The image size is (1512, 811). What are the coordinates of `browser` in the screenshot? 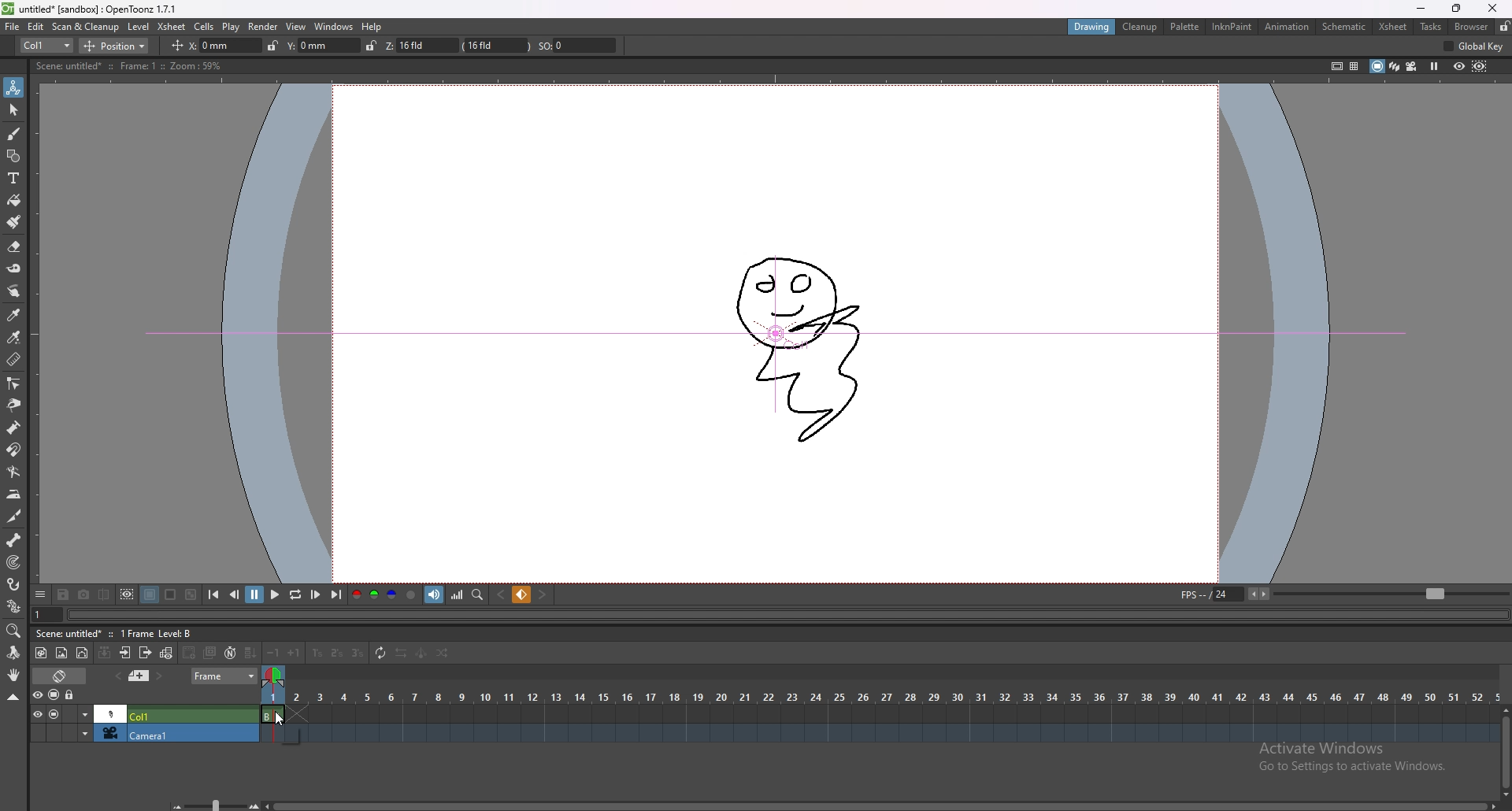 It's located at (1470, 26).